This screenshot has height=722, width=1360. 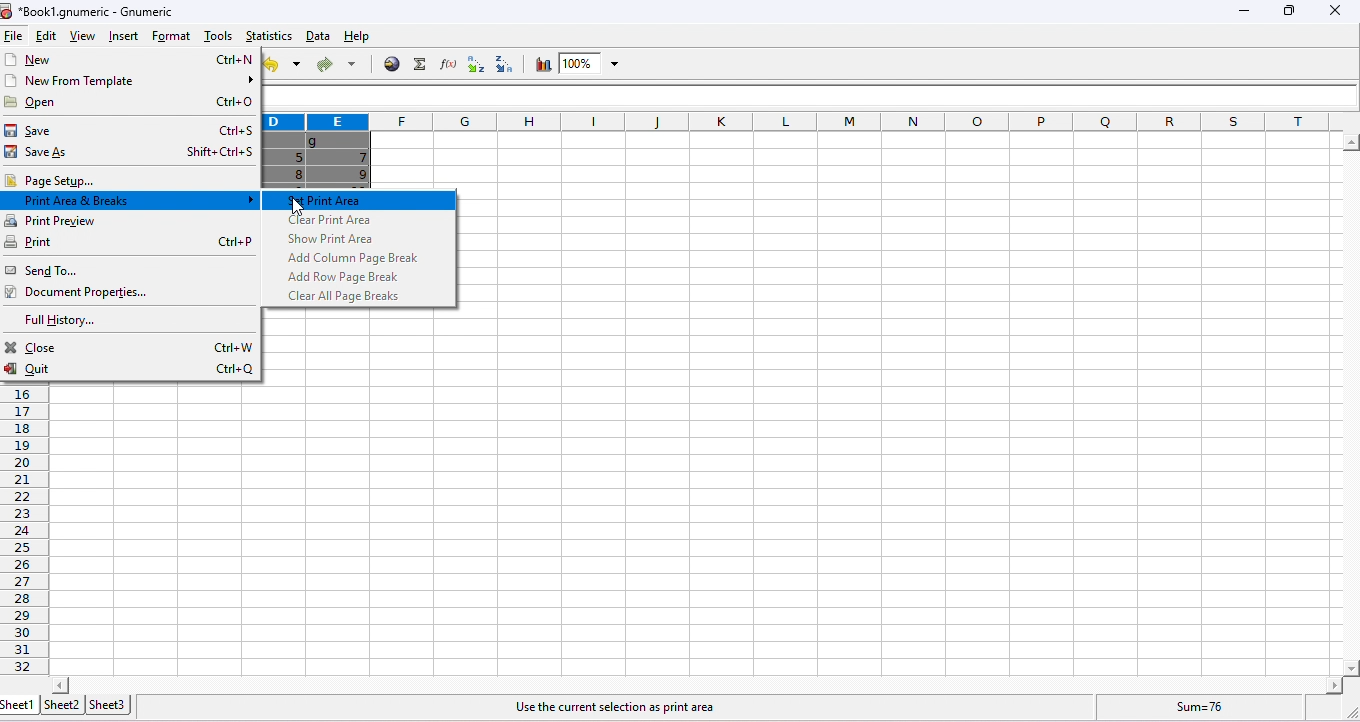 I want to click on chart, so click(x=541, y=65).